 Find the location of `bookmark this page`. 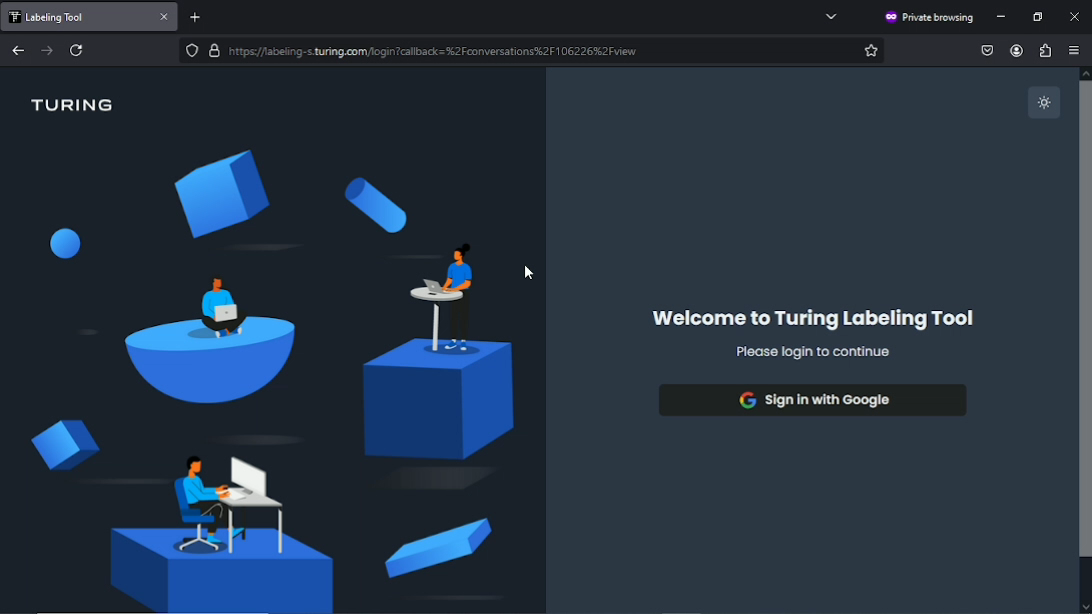

bookmark this page is located at coordinates (871, 50).